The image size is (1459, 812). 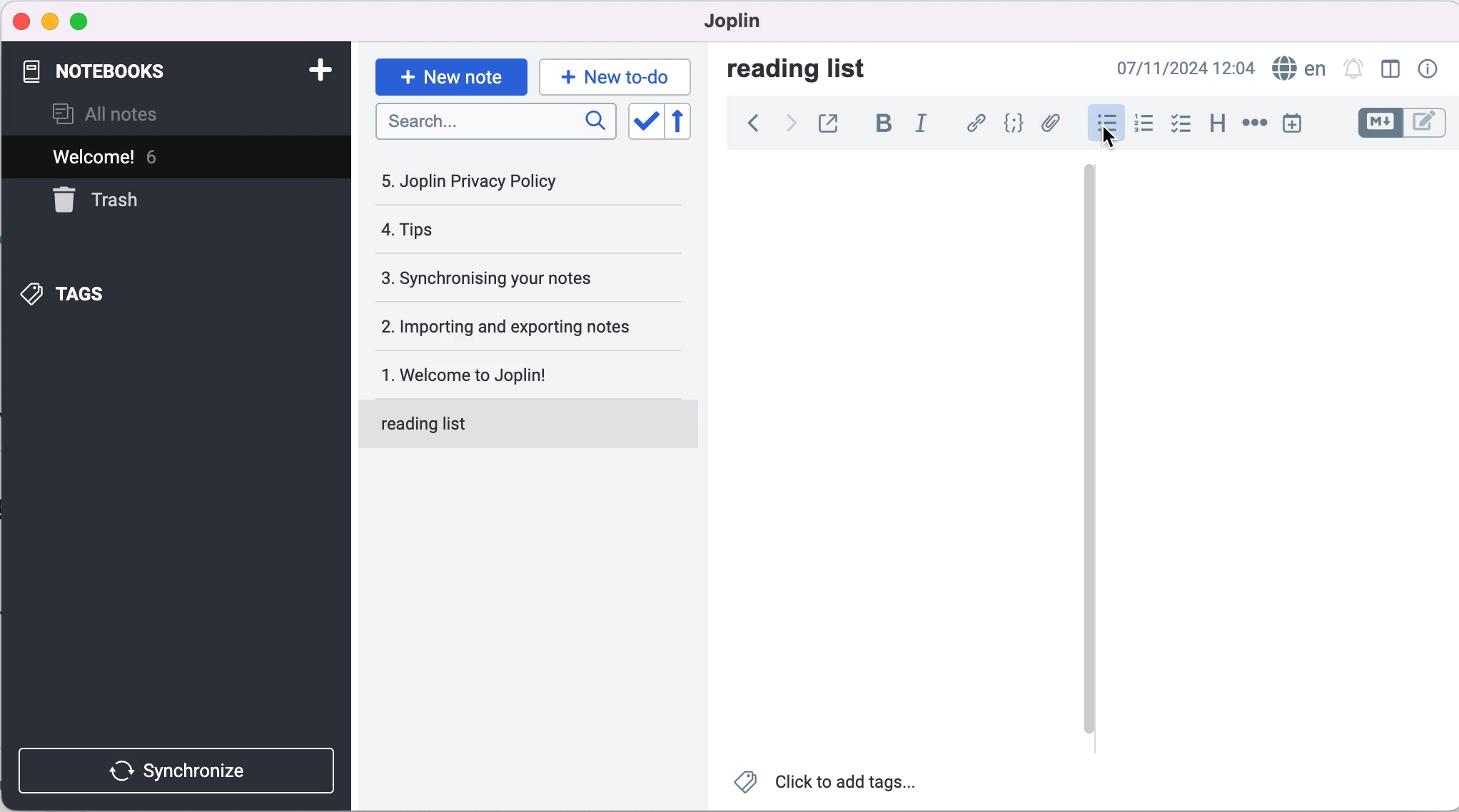 I want to click on blank canvas 2, so click(x=1276, y=460).